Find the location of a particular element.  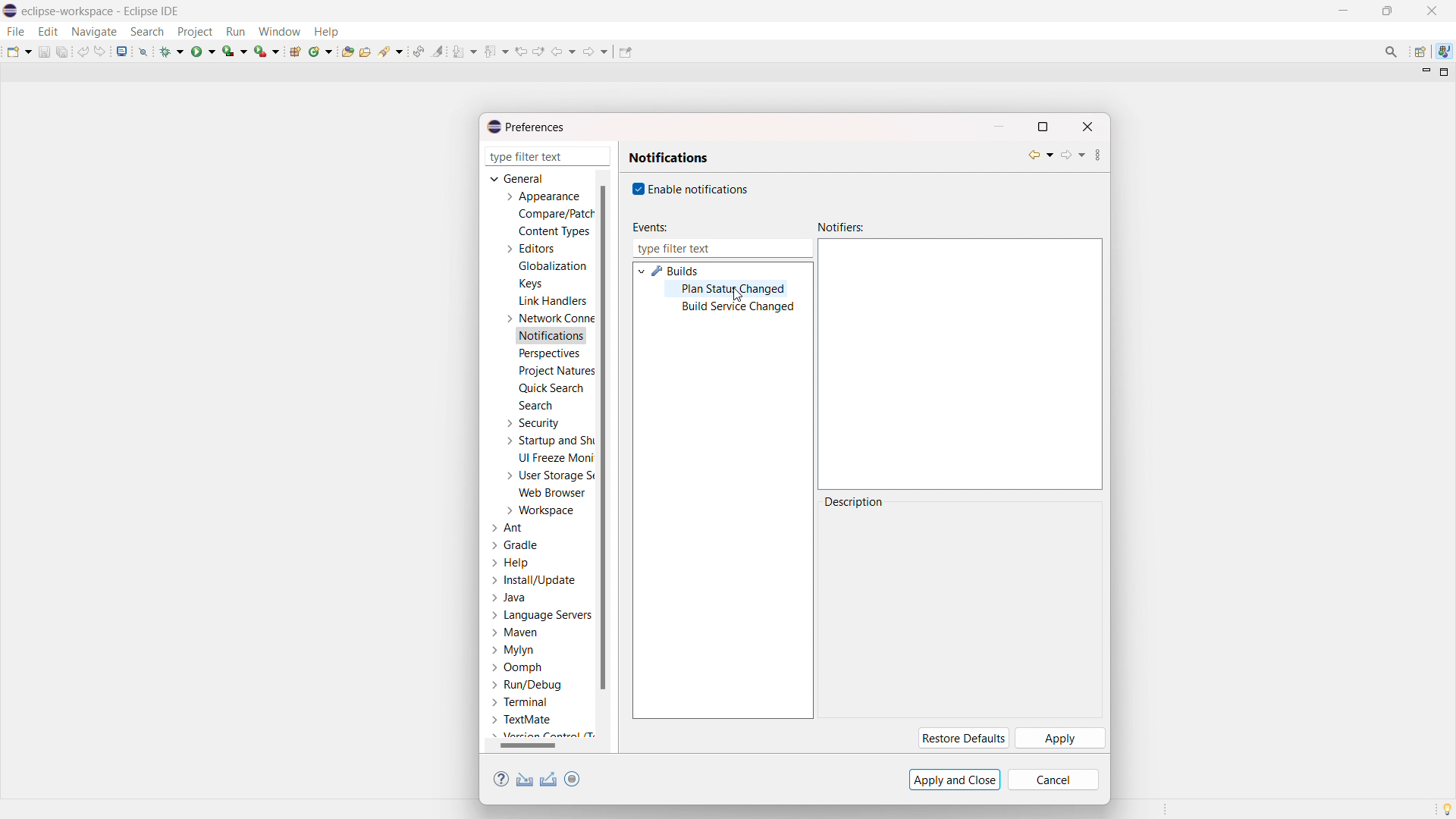

ant is located at coordinates (509, 529).